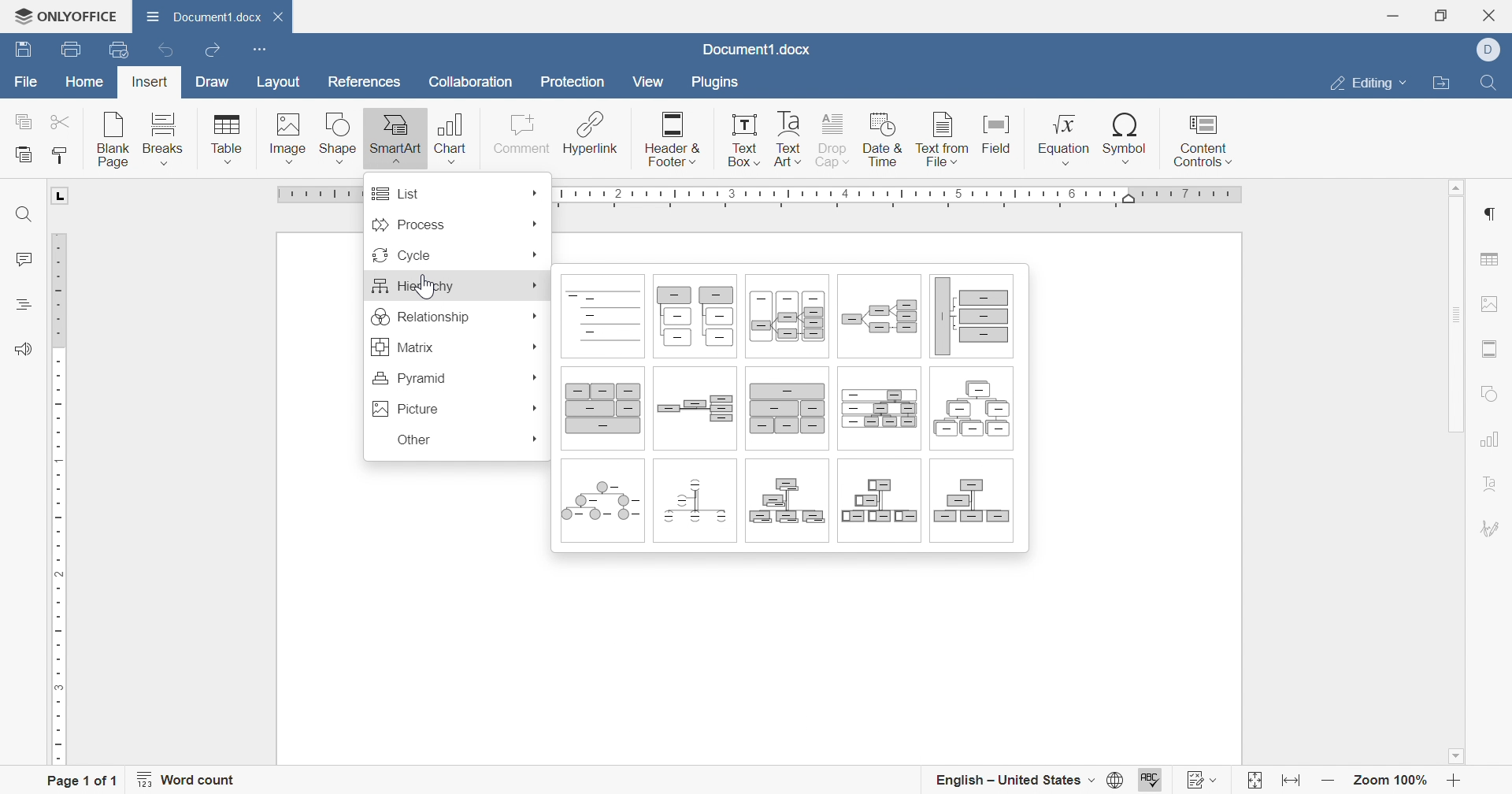 The width and height of the screenshot is (1512, 794). I want to click on Horizontal tabeled hierarchy , so click(782, 320).